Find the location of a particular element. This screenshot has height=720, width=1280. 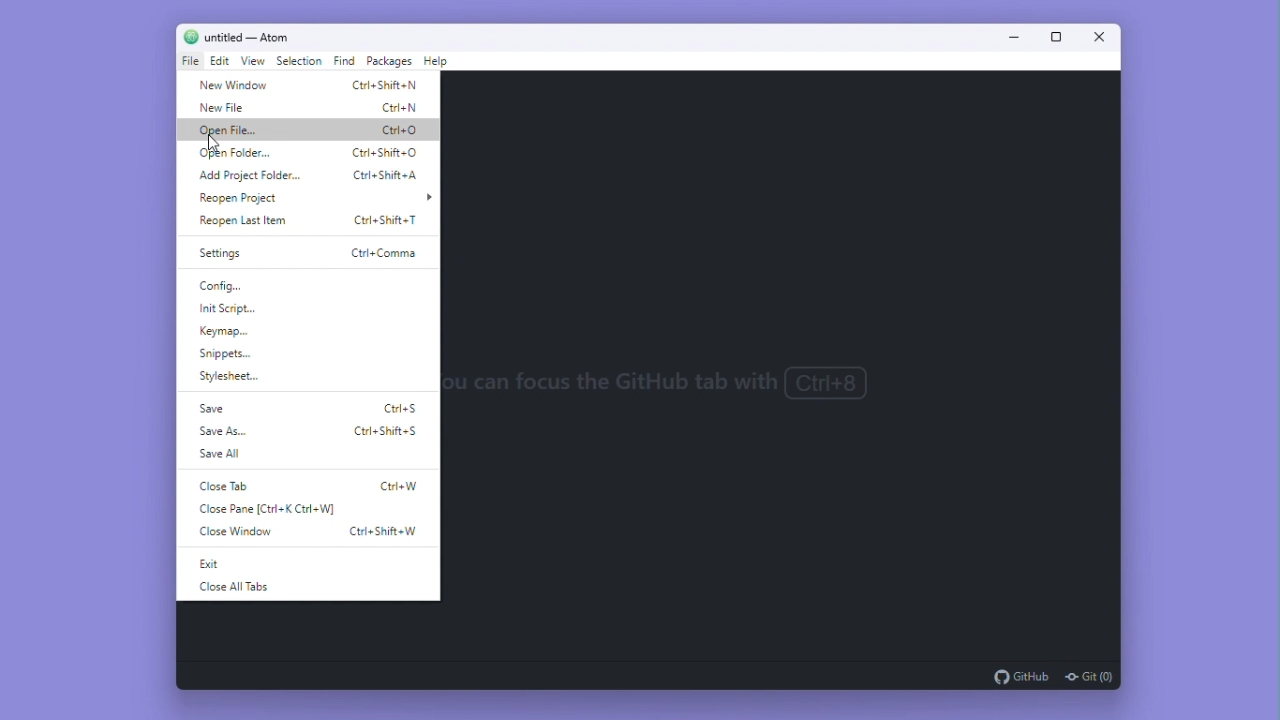

Reopen last item ctrl+shift+t is located at coordinates (313, 222).